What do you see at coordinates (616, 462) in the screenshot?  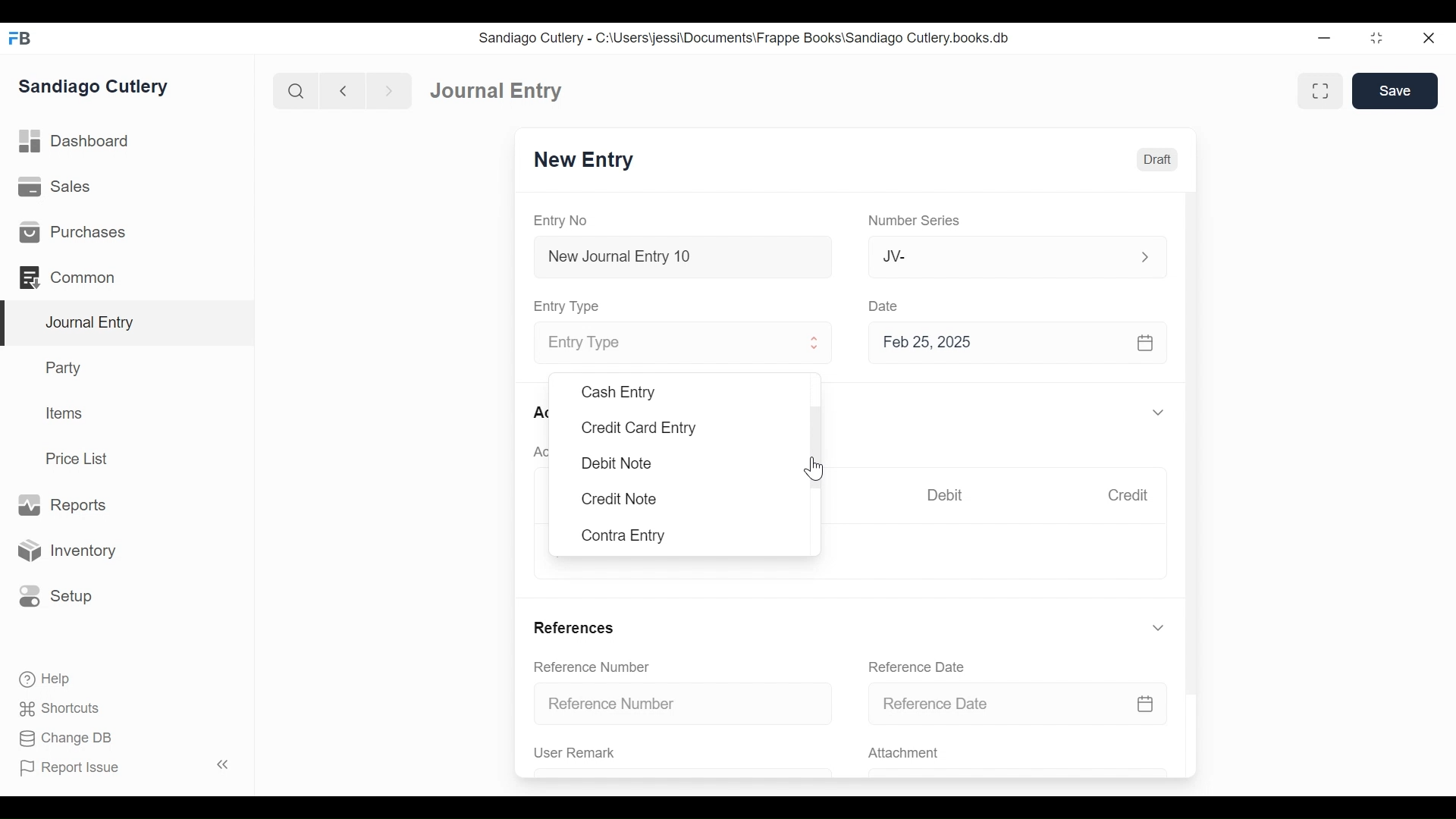 I see `Debit Note` at bounding box center [616, 462].